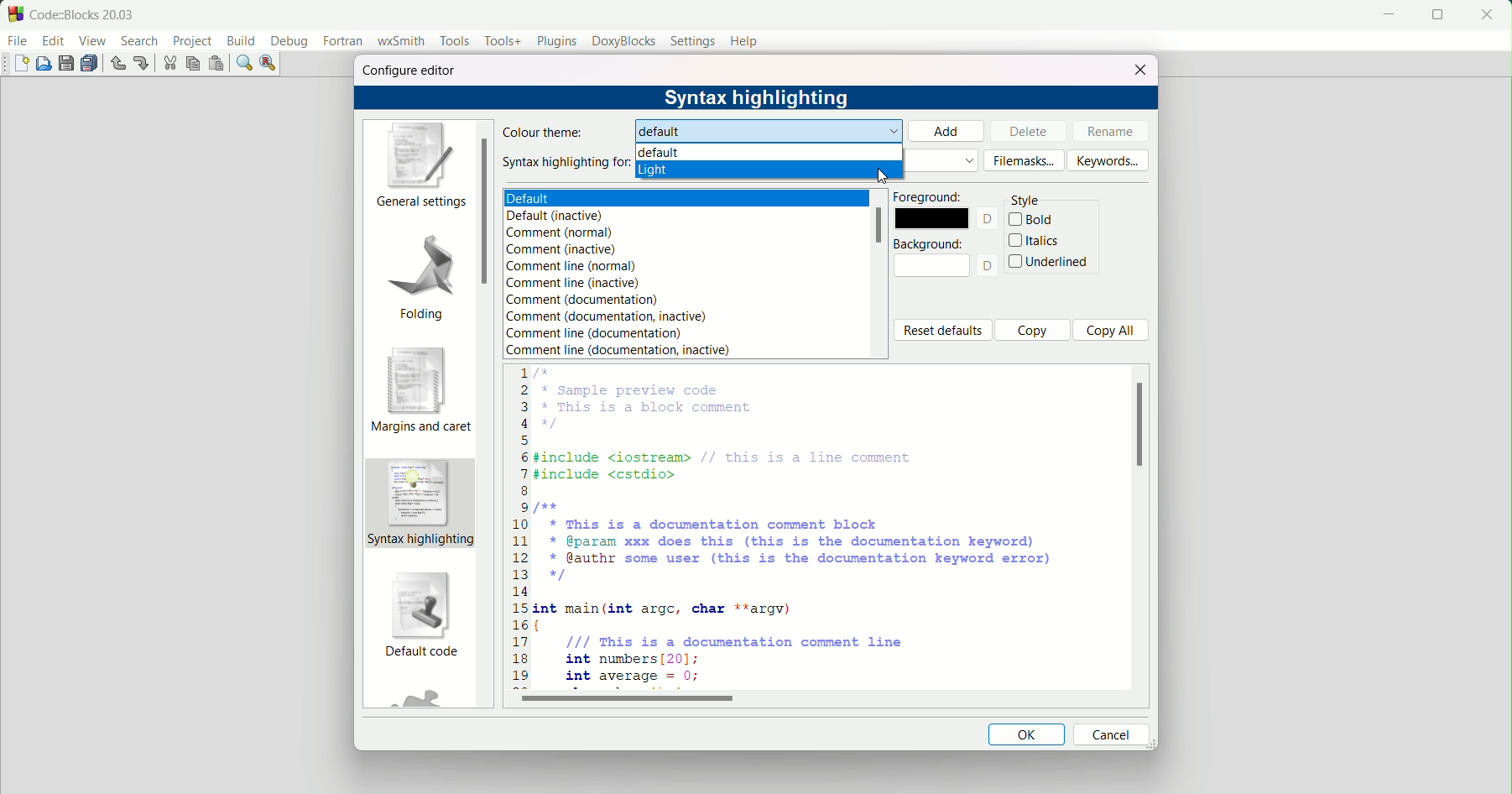 This screenshot has height=794, width=1512. I want to click on general settings, so click(418, 165).